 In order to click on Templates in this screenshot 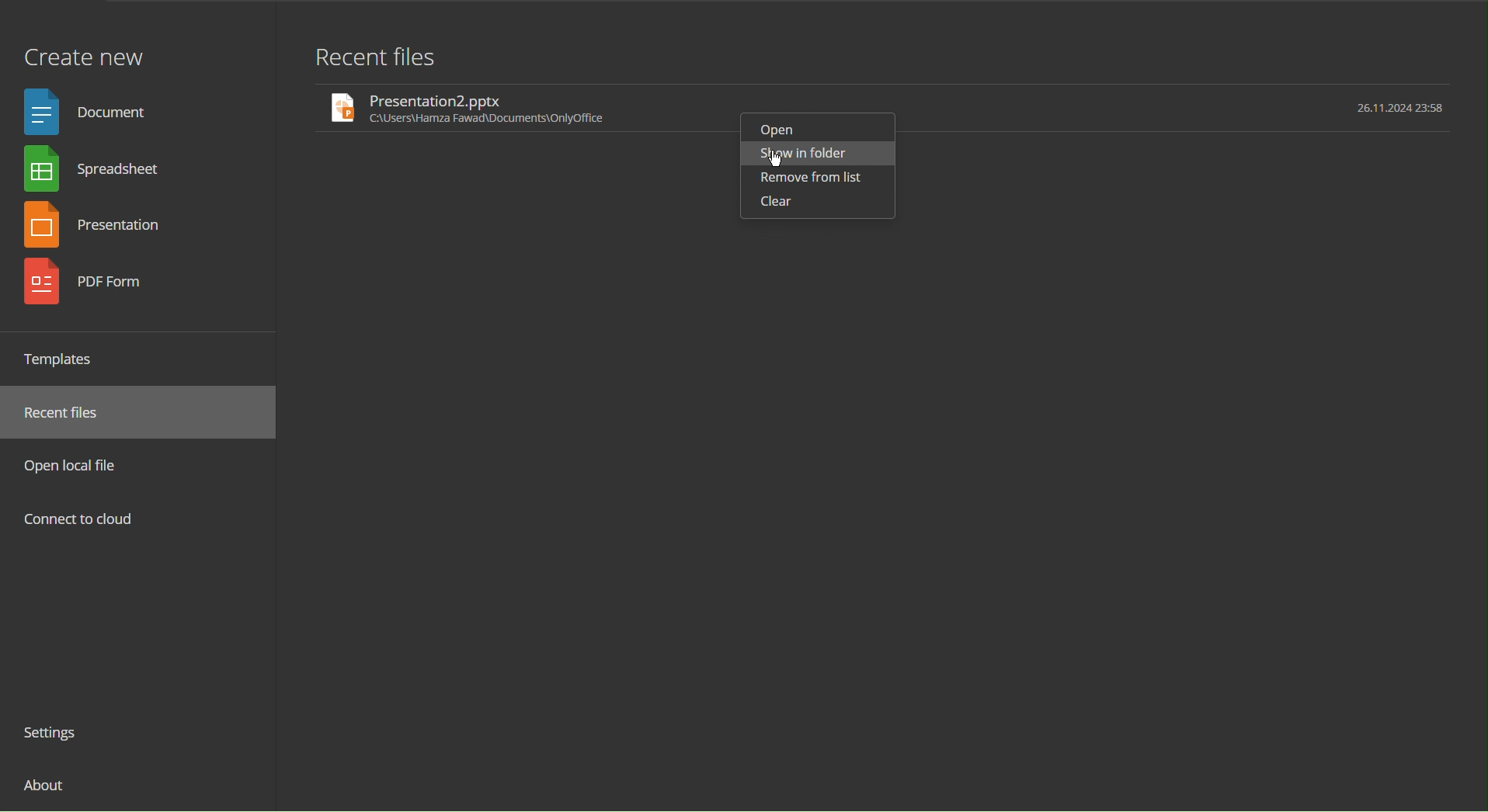, I will do `click(65, 359)`.